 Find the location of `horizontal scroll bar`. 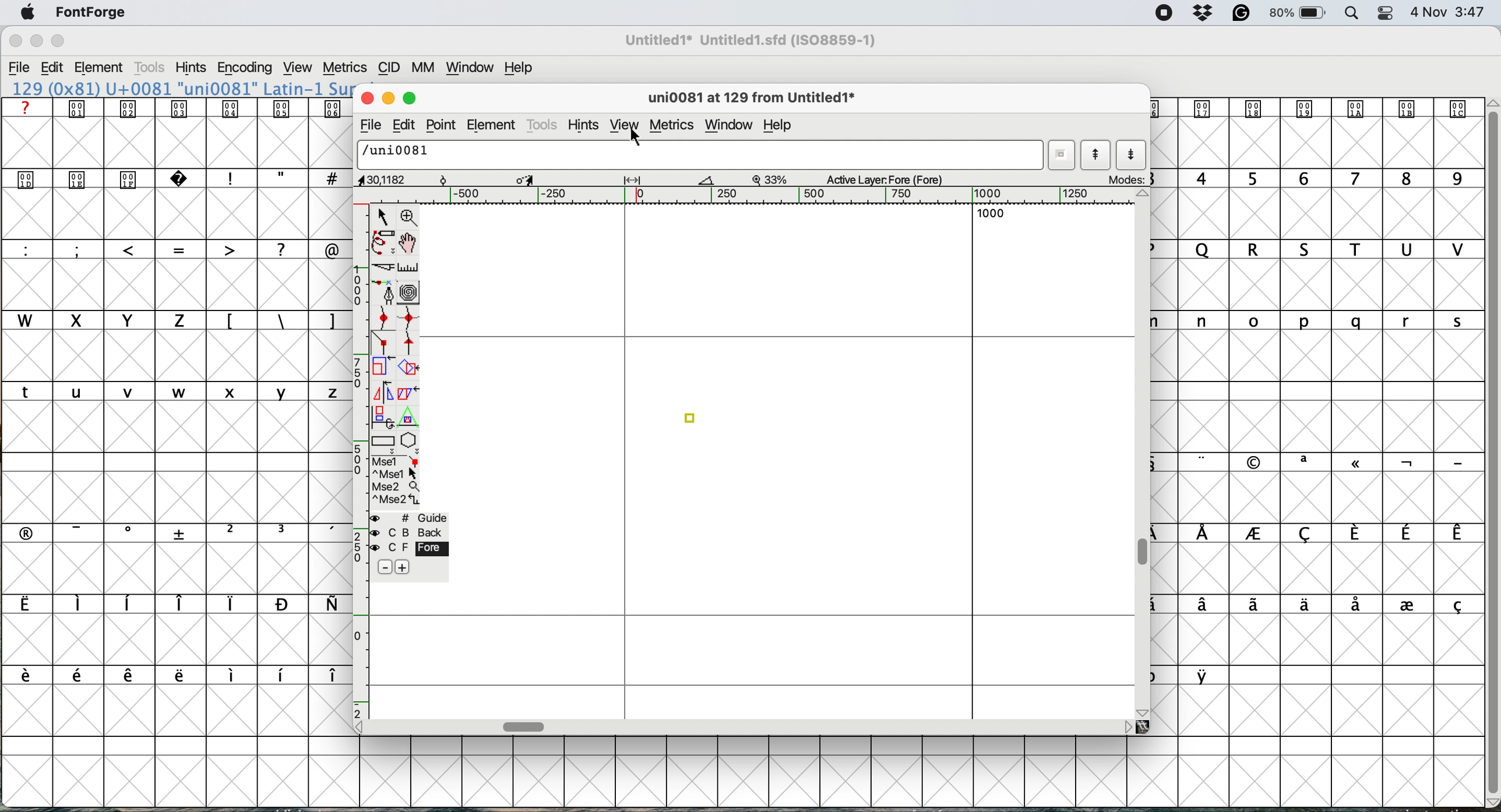

horizontal scroll bar is located at coordinates (527, 726).